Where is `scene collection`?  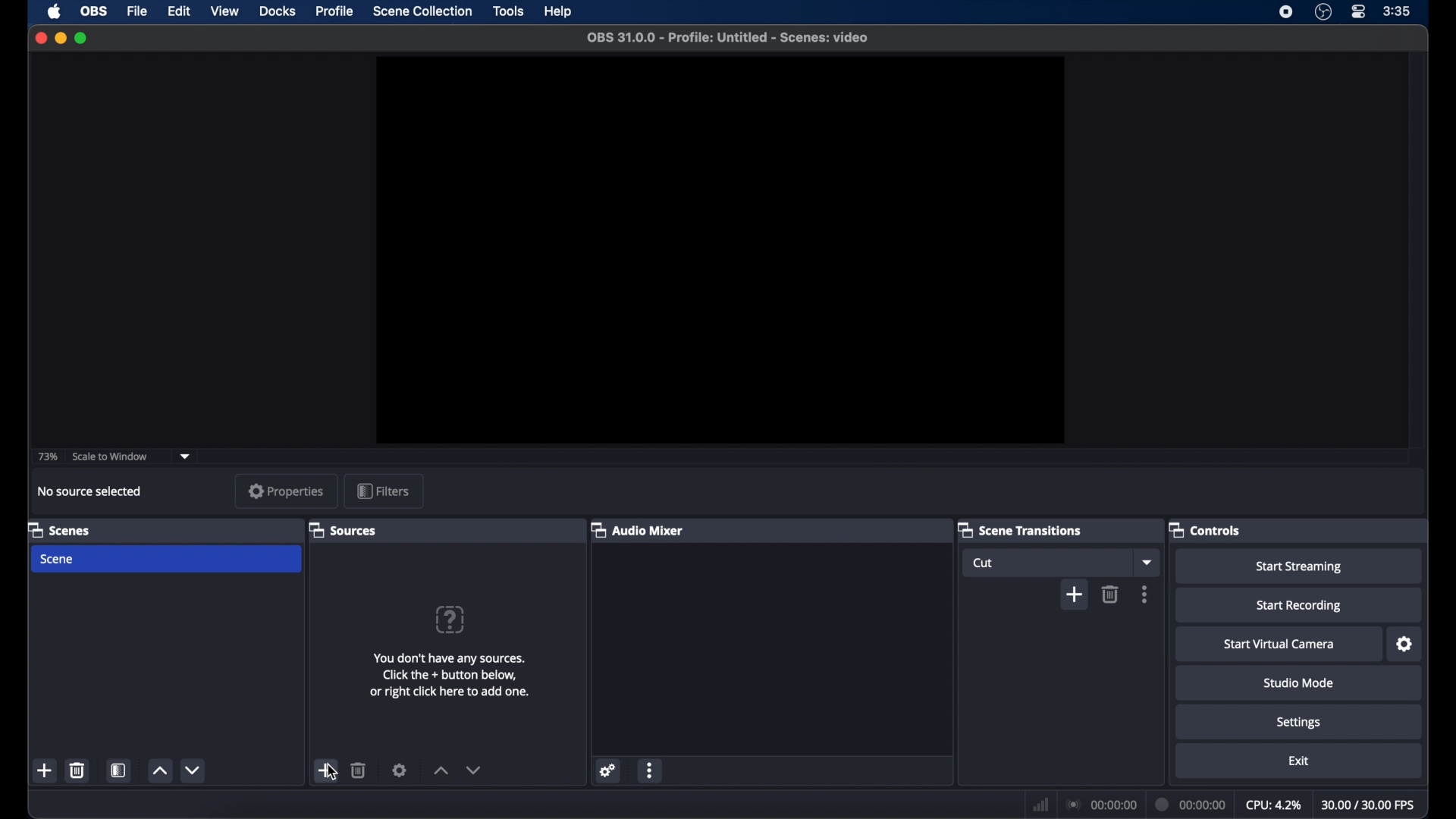 scene collection is located at coordinates (424, 11).